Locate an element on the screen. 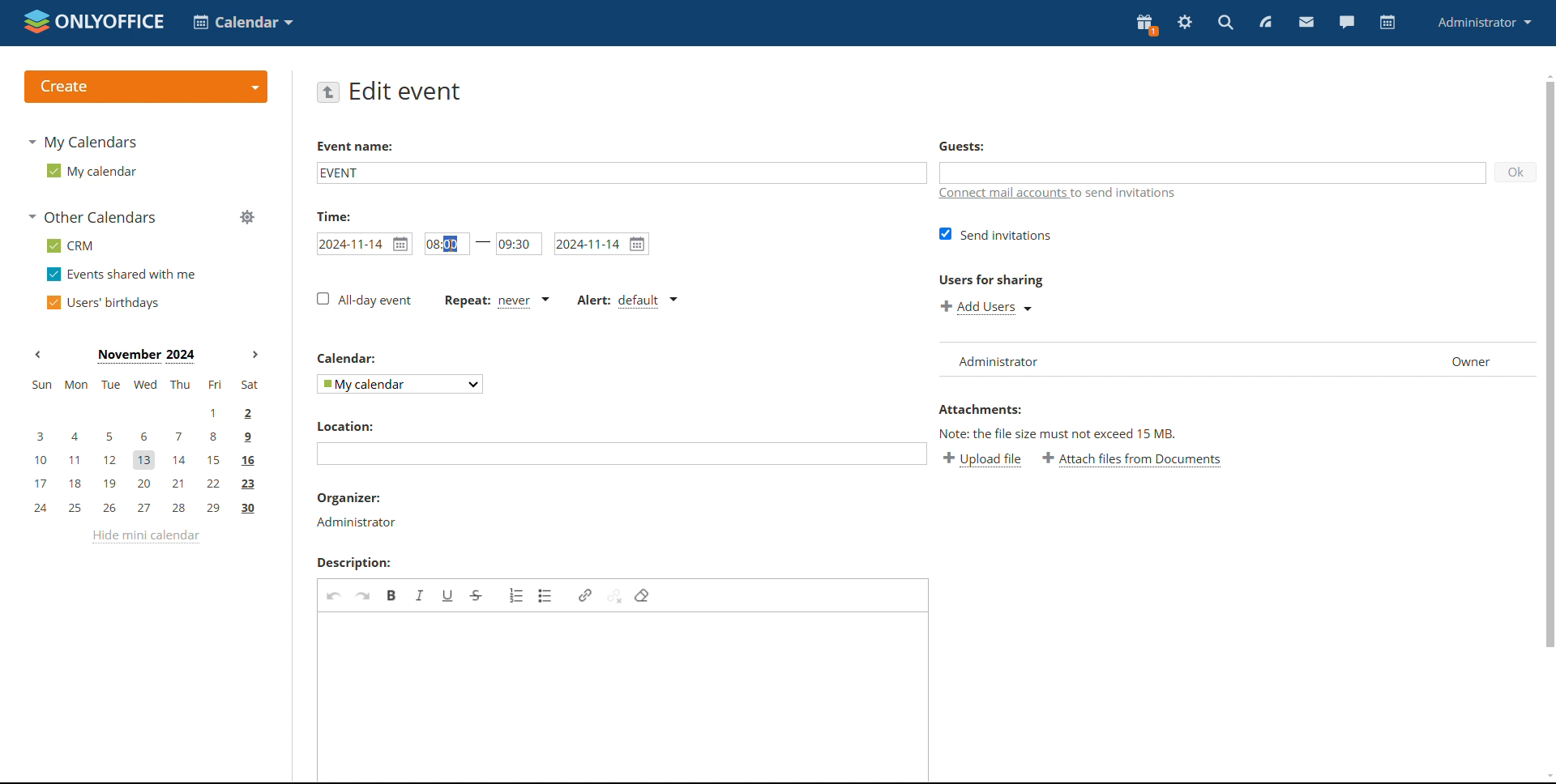 The image size is (1556, 784). alert type is located at coordinates (627, 300).